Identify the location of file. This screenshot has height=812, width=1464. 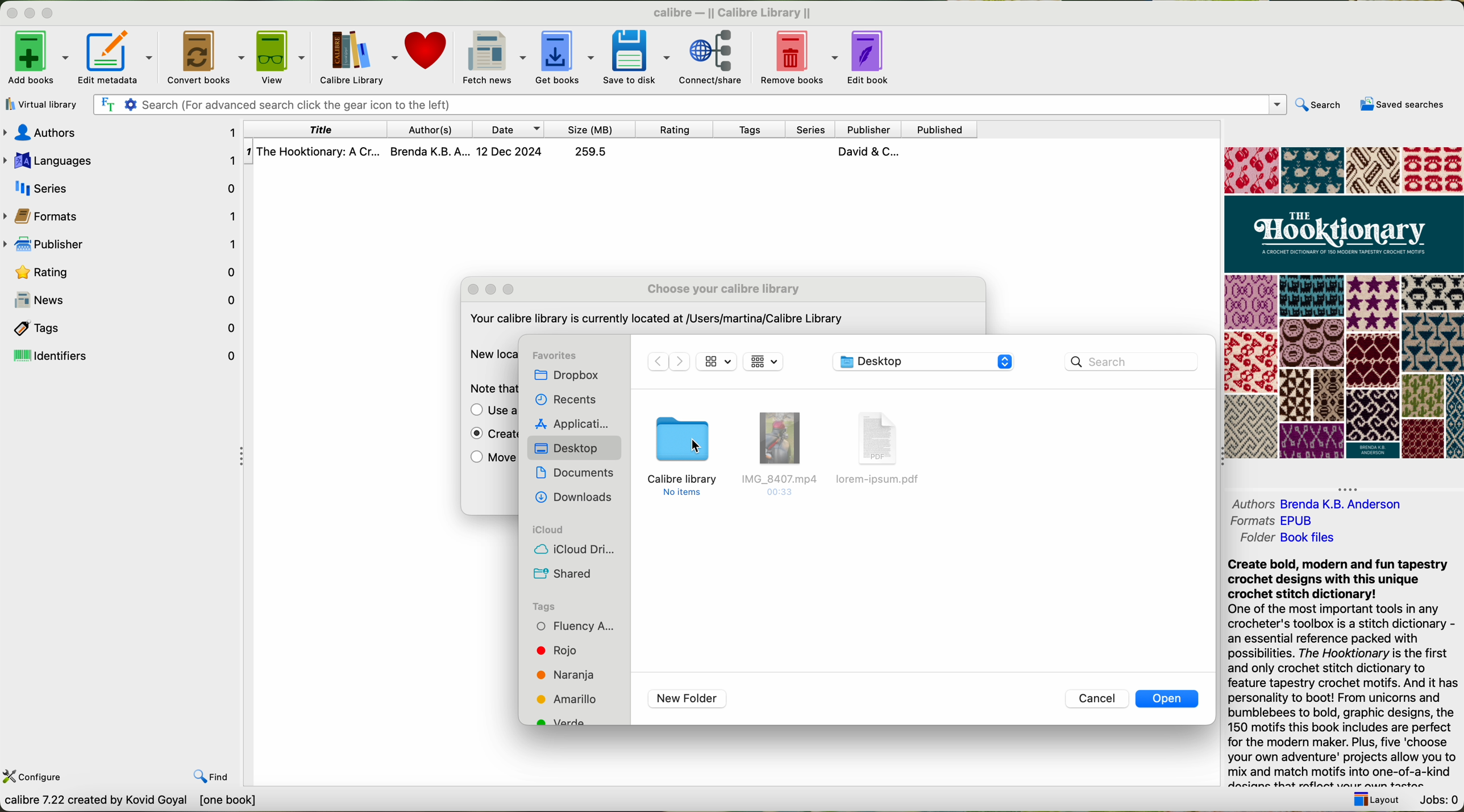
(780, 455).